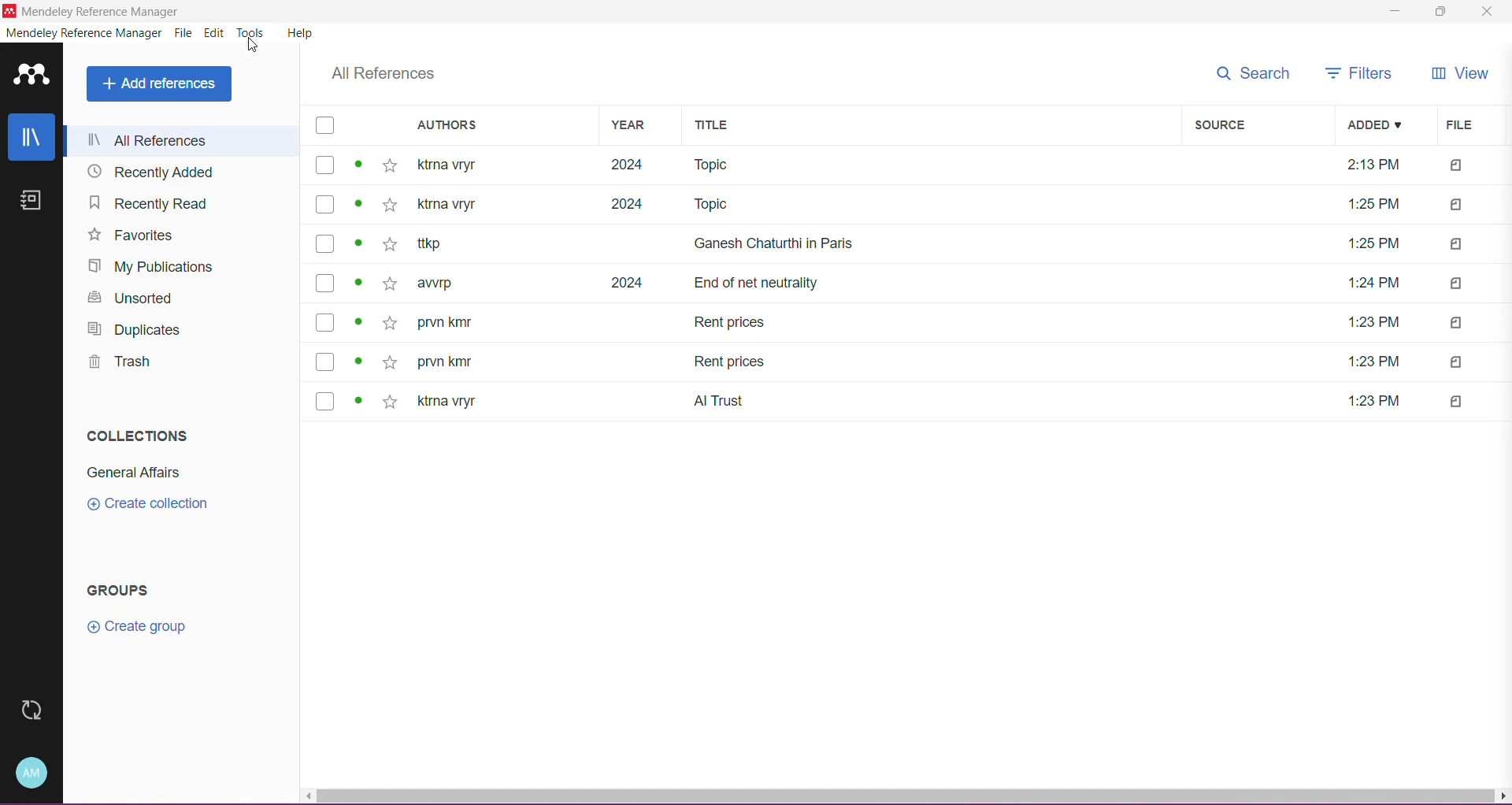 The image size is (1512, 805). I want to click on Title, so click(734, 321).